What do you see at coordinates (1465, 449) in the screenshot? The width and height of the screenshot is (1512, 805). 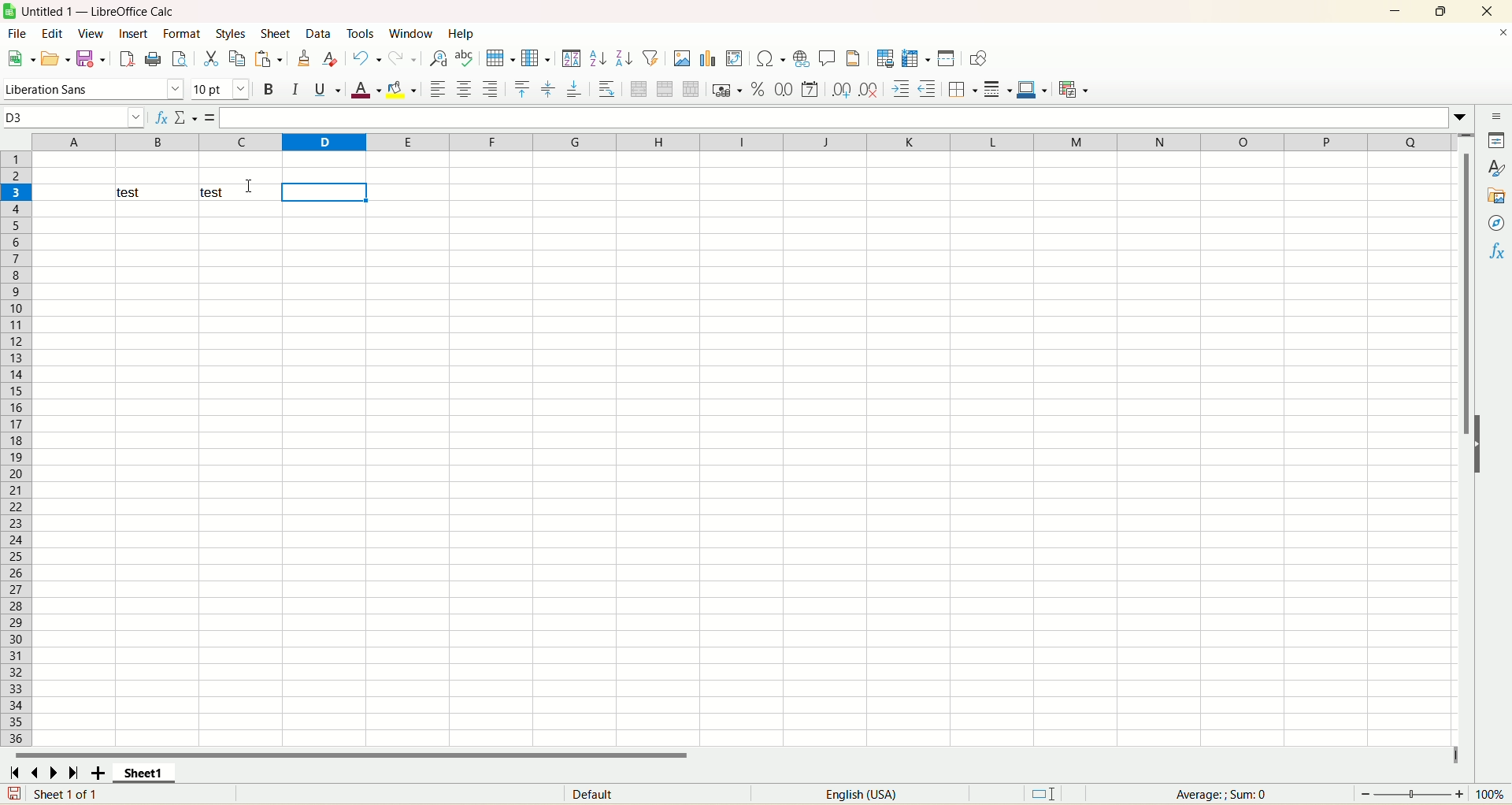 I see `Vertical slide bar` at bounding box center [1465, 449].